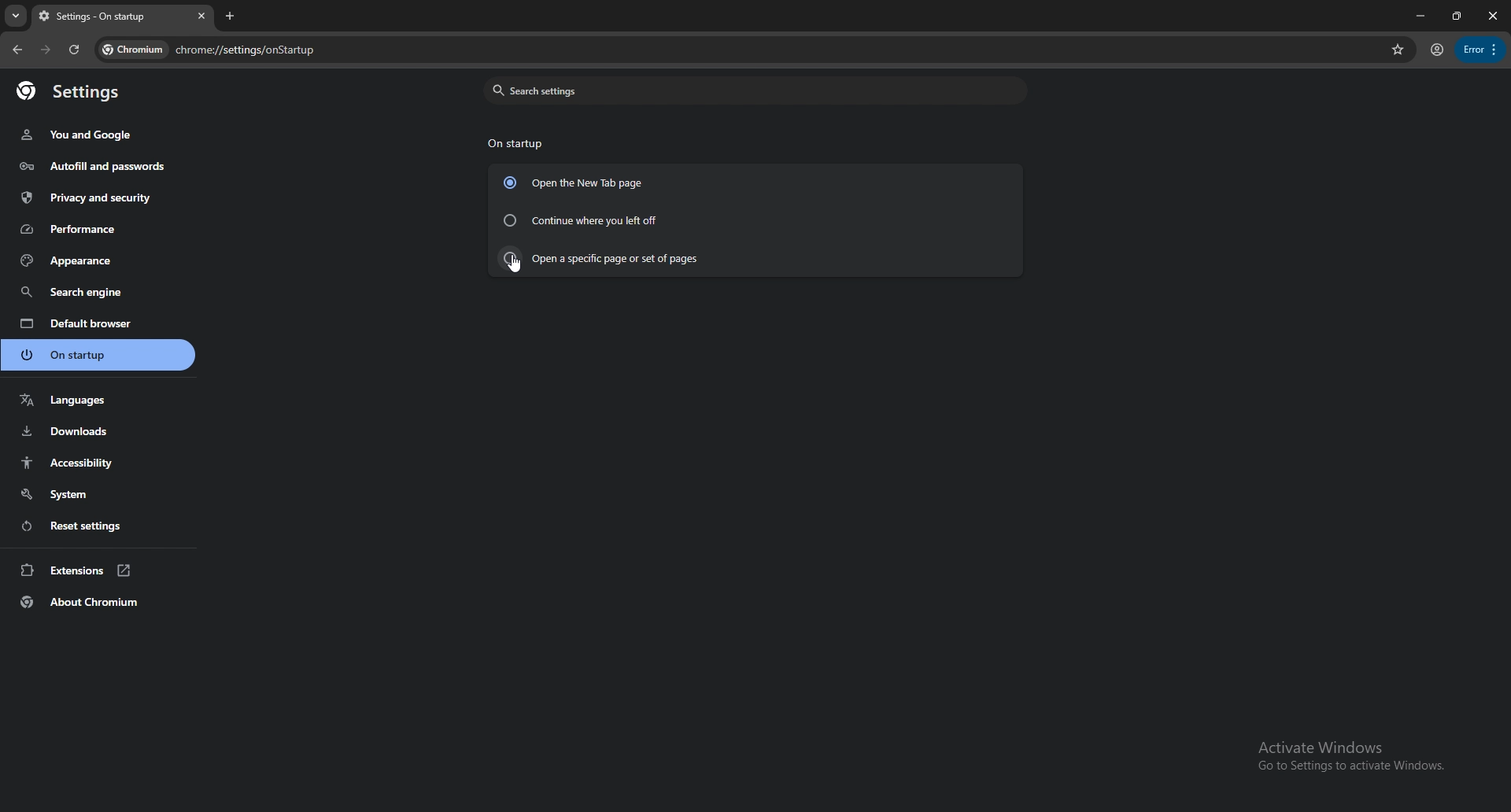 The height and width of the screenshot is (812, 1511). Describe the element at coordinates (101, 463) in the screenshot. I see `accessibility` at that location.